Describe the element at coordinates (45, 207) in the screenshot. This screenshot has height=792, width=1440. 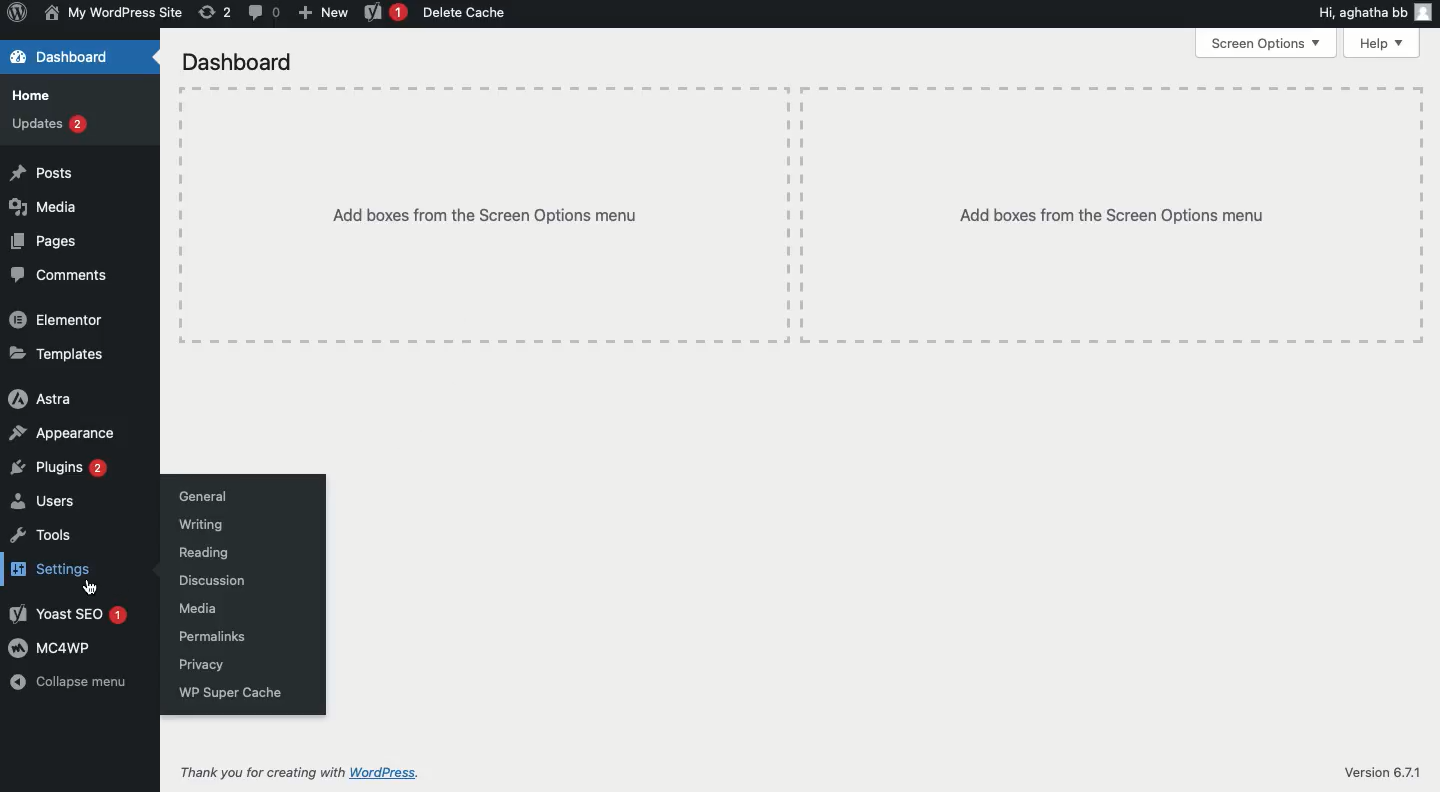
I see `Media` at that location.